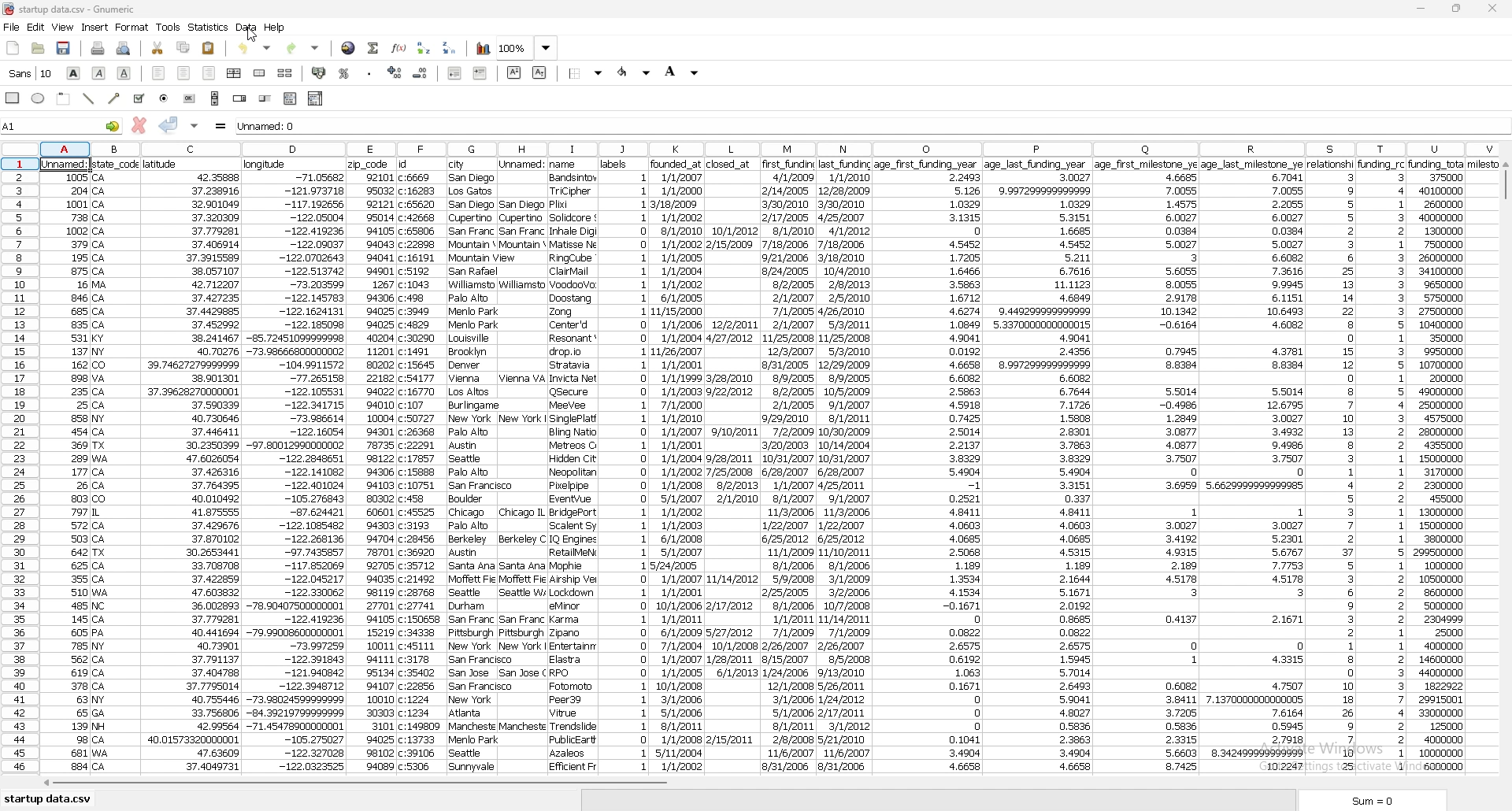 Image resolution: width=1512 pixels, height=811 pixels. What do you see at coordinates (290, 98) in the screenshot?
I see `list` at bounding box center [290, 98].